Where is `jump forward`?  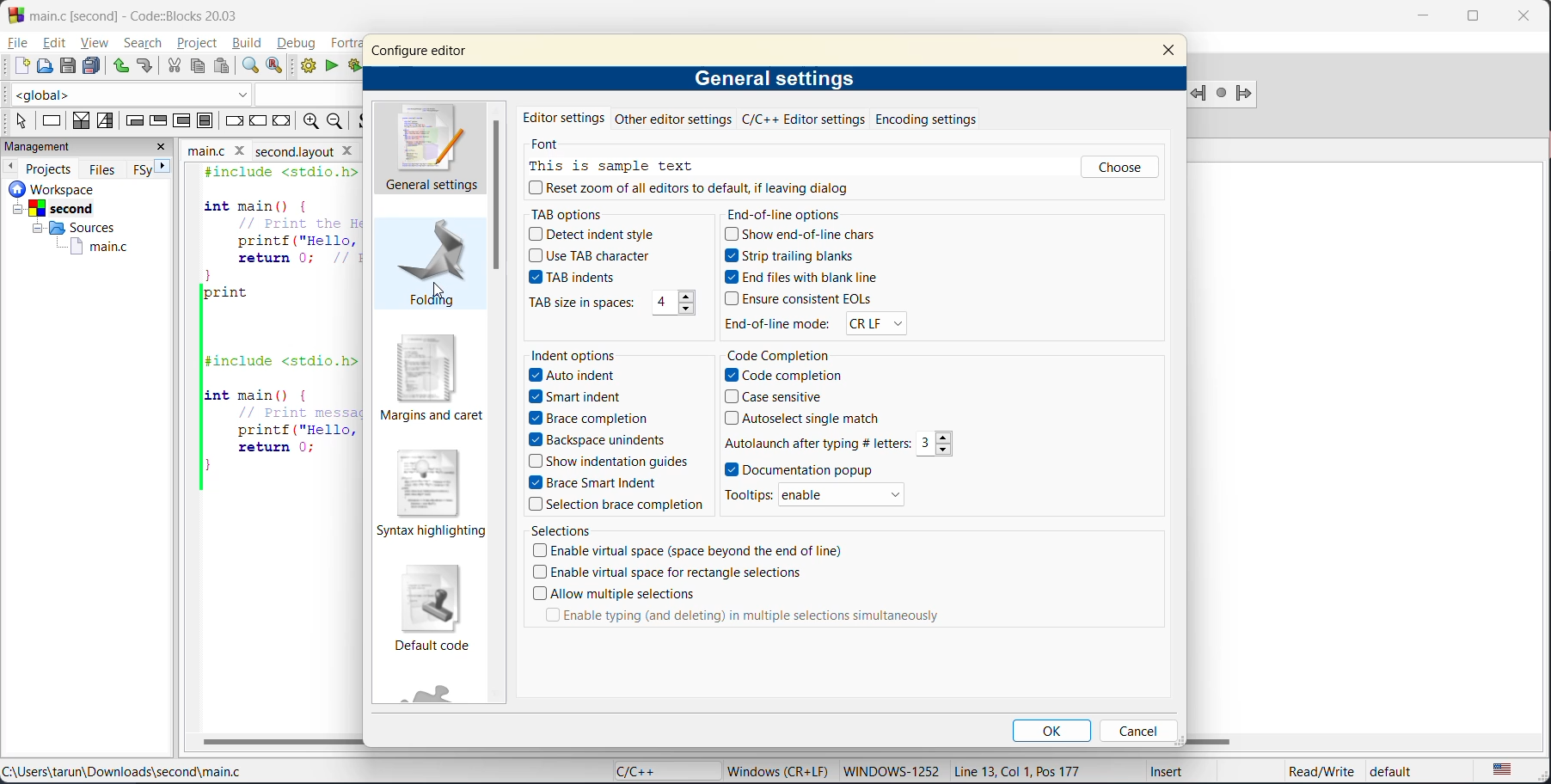
jump forward is located at coordinates (1248, 94).